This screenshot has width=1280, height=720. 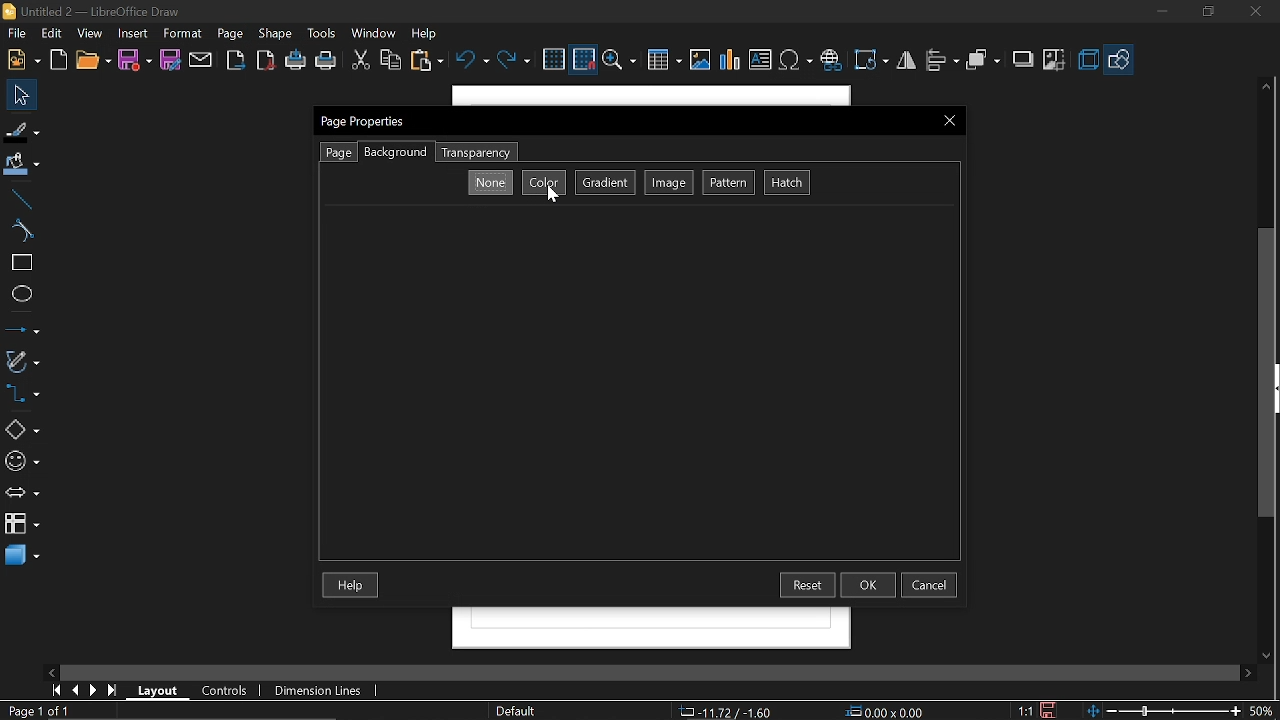 I want to click on Save, so click(x=134, y=61).